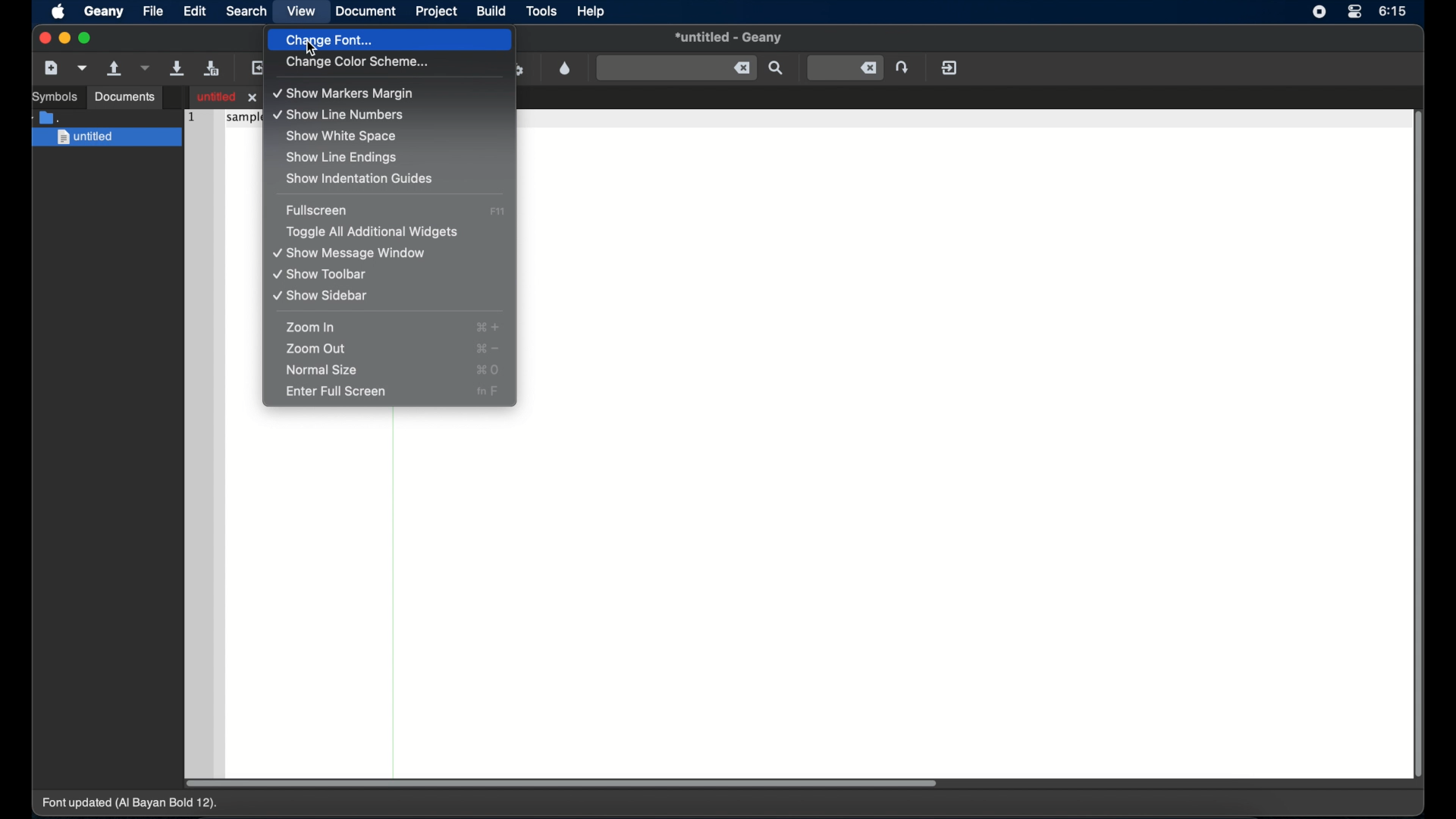 Image resolution: width=1456 pixels, height=819 pixels. What do you see at coordinates (949, 67) in the screenshot?
I see `quit geany` at bounding box center [949, 67].